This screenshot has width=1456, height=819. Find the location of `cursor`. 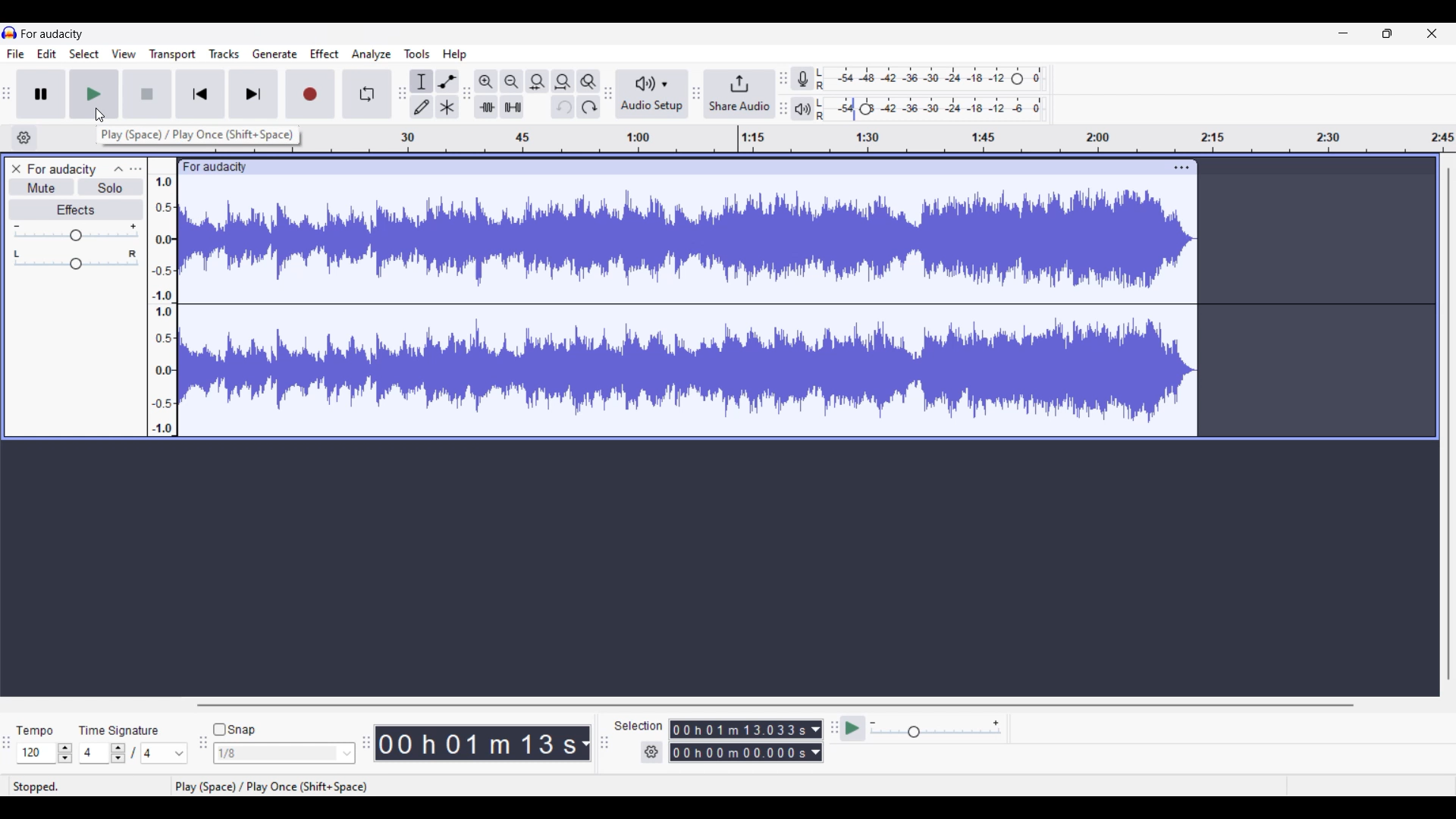

cursor is located at coordinates (102, 116).